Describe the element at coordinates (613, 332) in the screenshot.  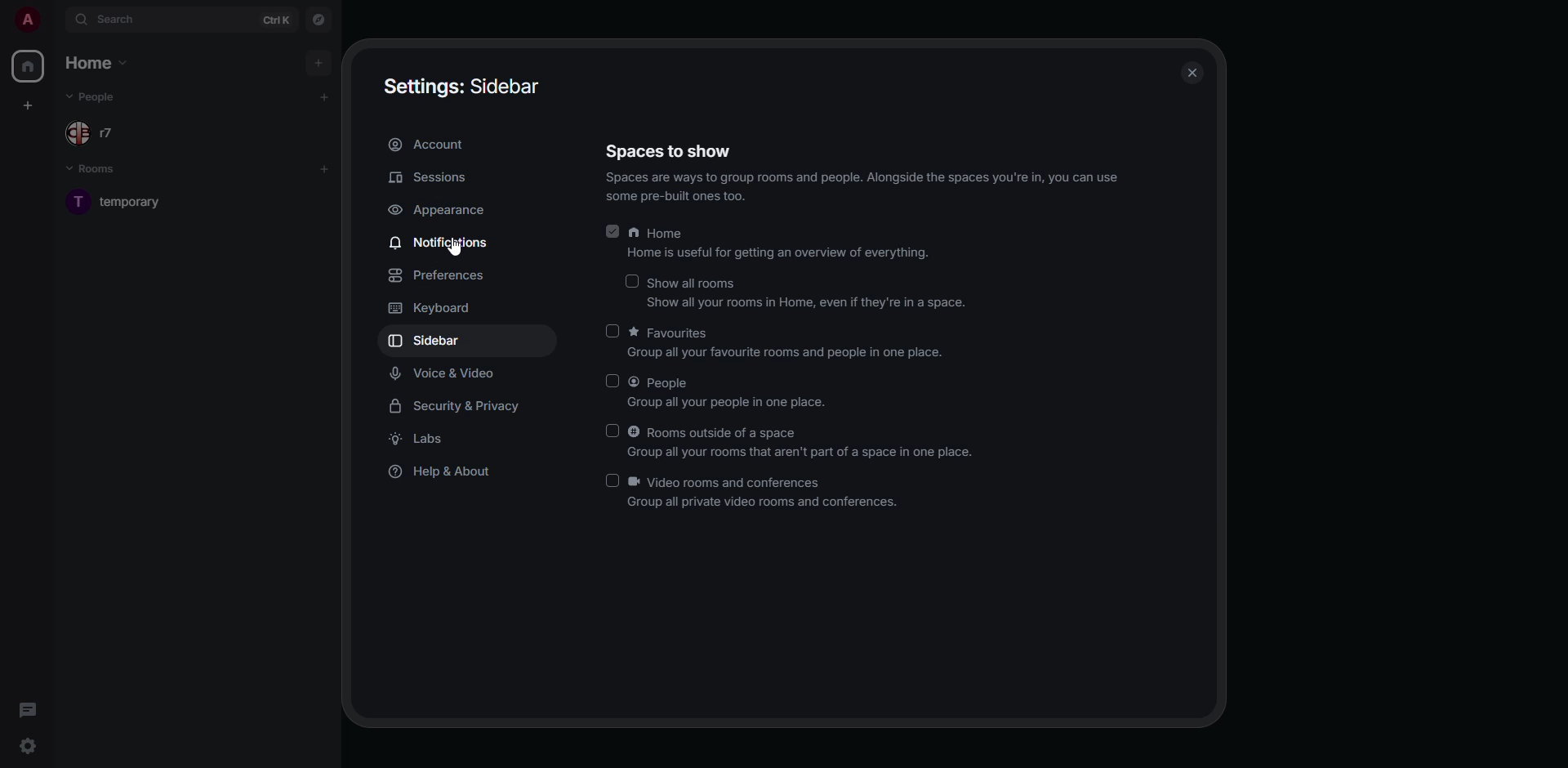
I see `click to enable` at that location.